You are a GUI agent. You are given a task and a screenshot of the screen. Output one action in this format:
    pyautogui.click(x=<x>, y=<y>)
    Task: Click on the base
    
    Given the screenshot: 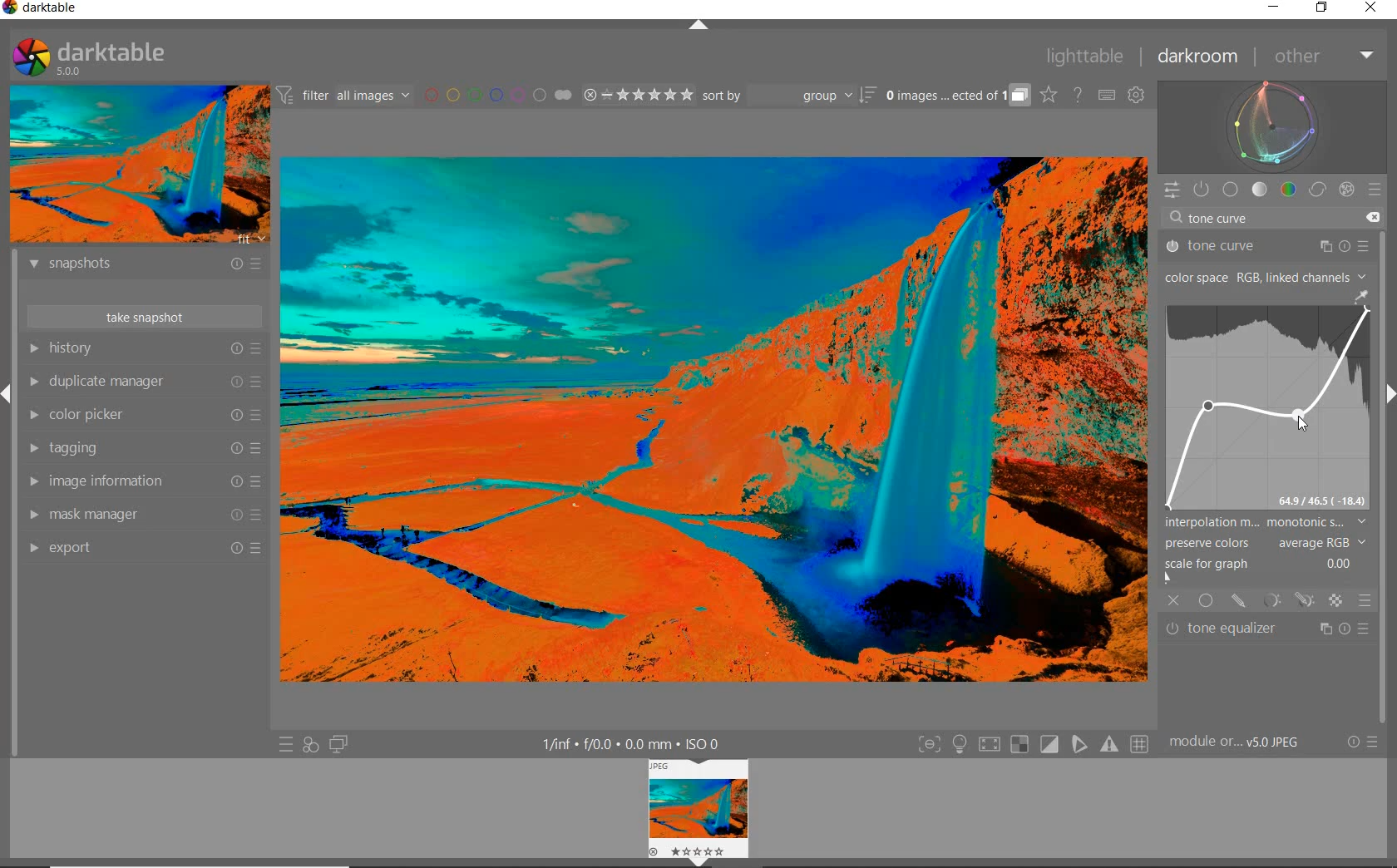 What is the action you would take?
    pyautogui.click(x=1232, y=189)
    